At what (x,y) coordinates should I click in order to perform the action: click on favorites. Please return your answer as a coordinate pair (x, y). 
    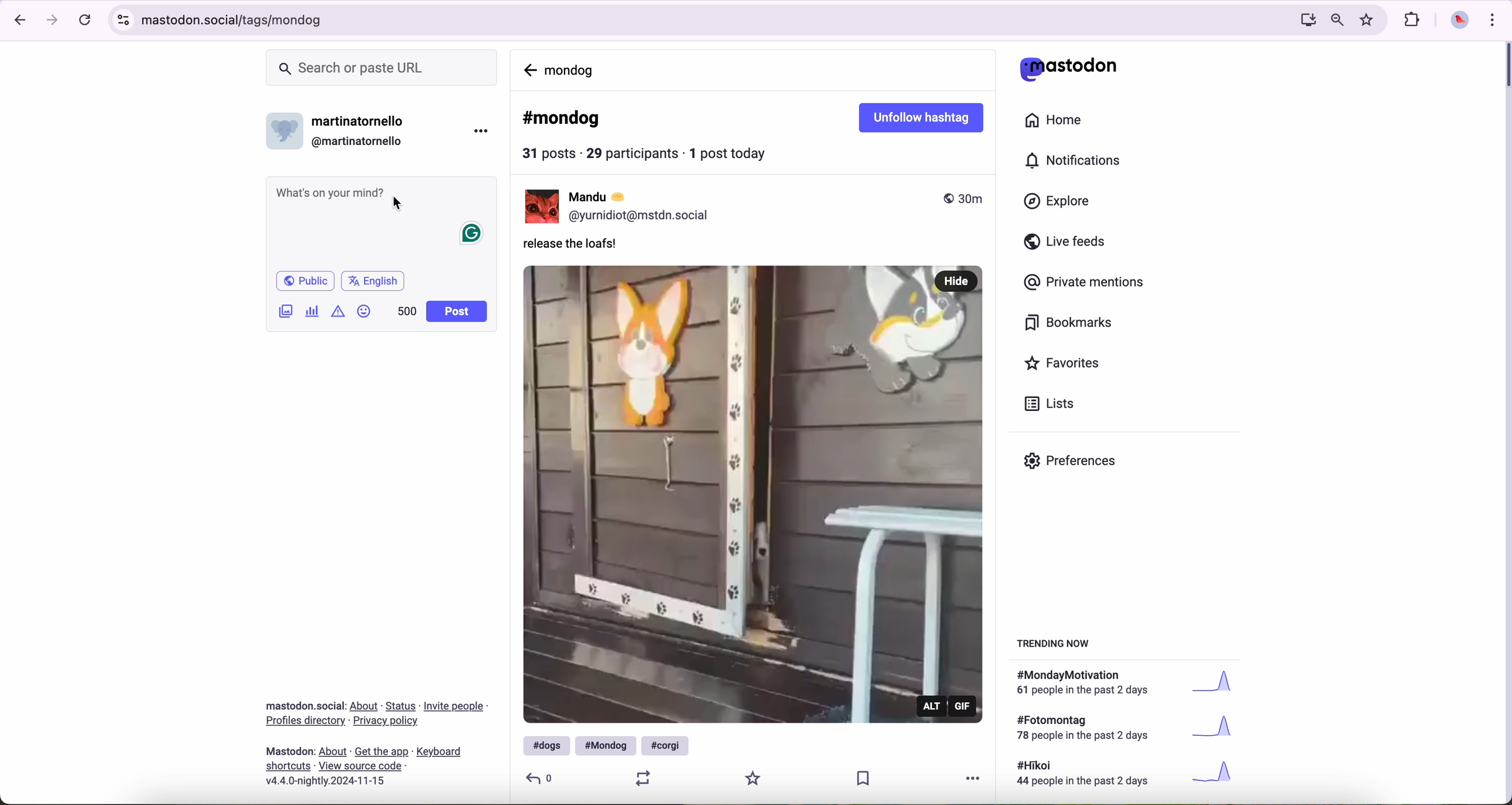
    Looking at the image, I should click on (1368, 19).